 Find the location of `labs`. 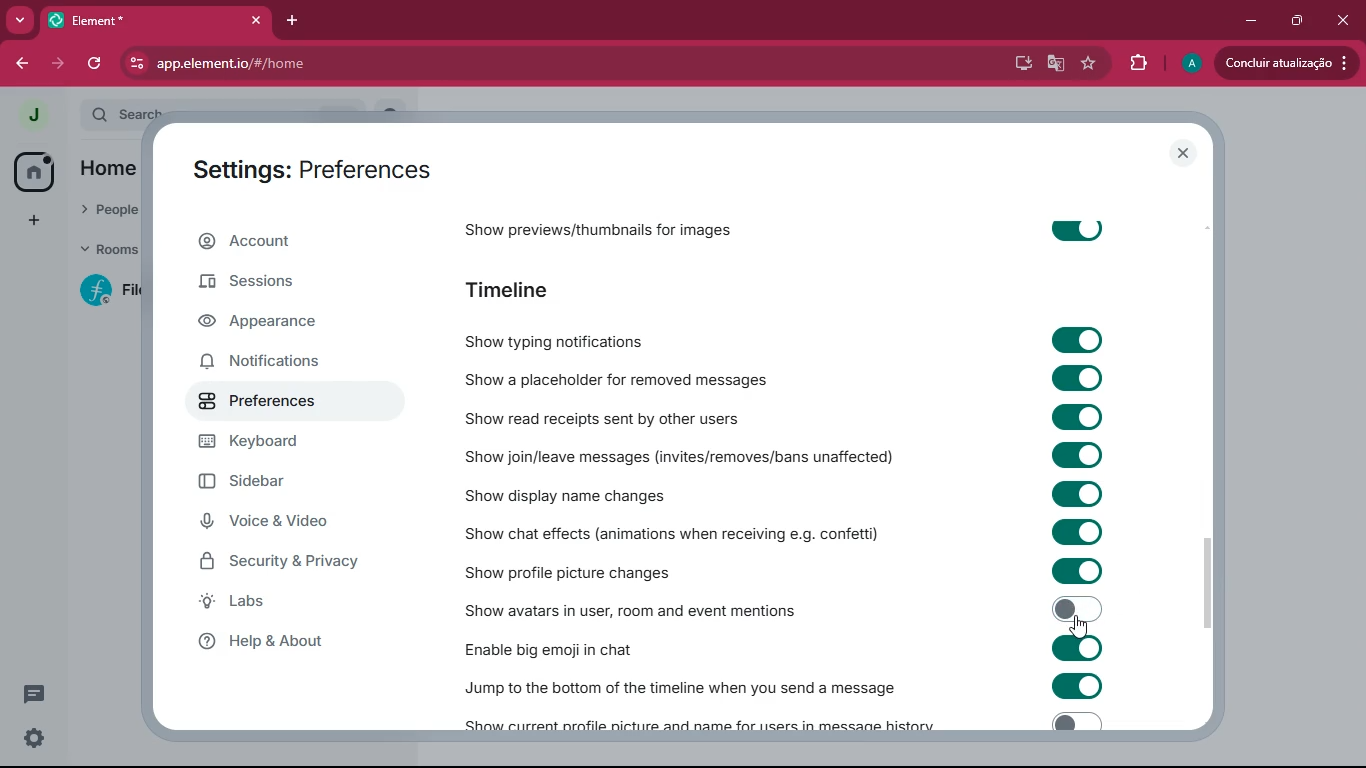

labs is located at coordinates (273, 606).